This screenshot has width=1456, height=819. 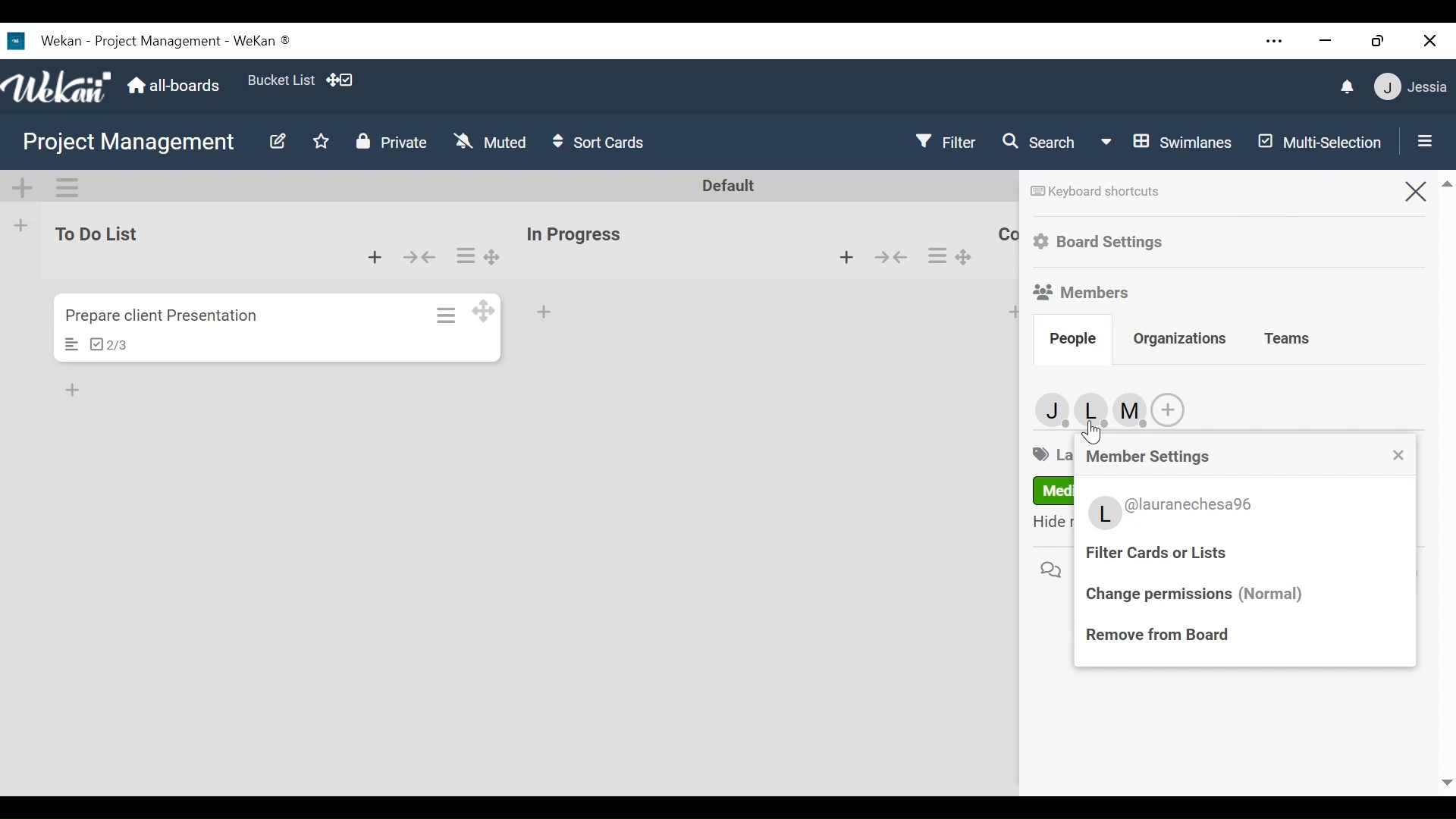 I want to click on Members, so click(x=1087, y=409).